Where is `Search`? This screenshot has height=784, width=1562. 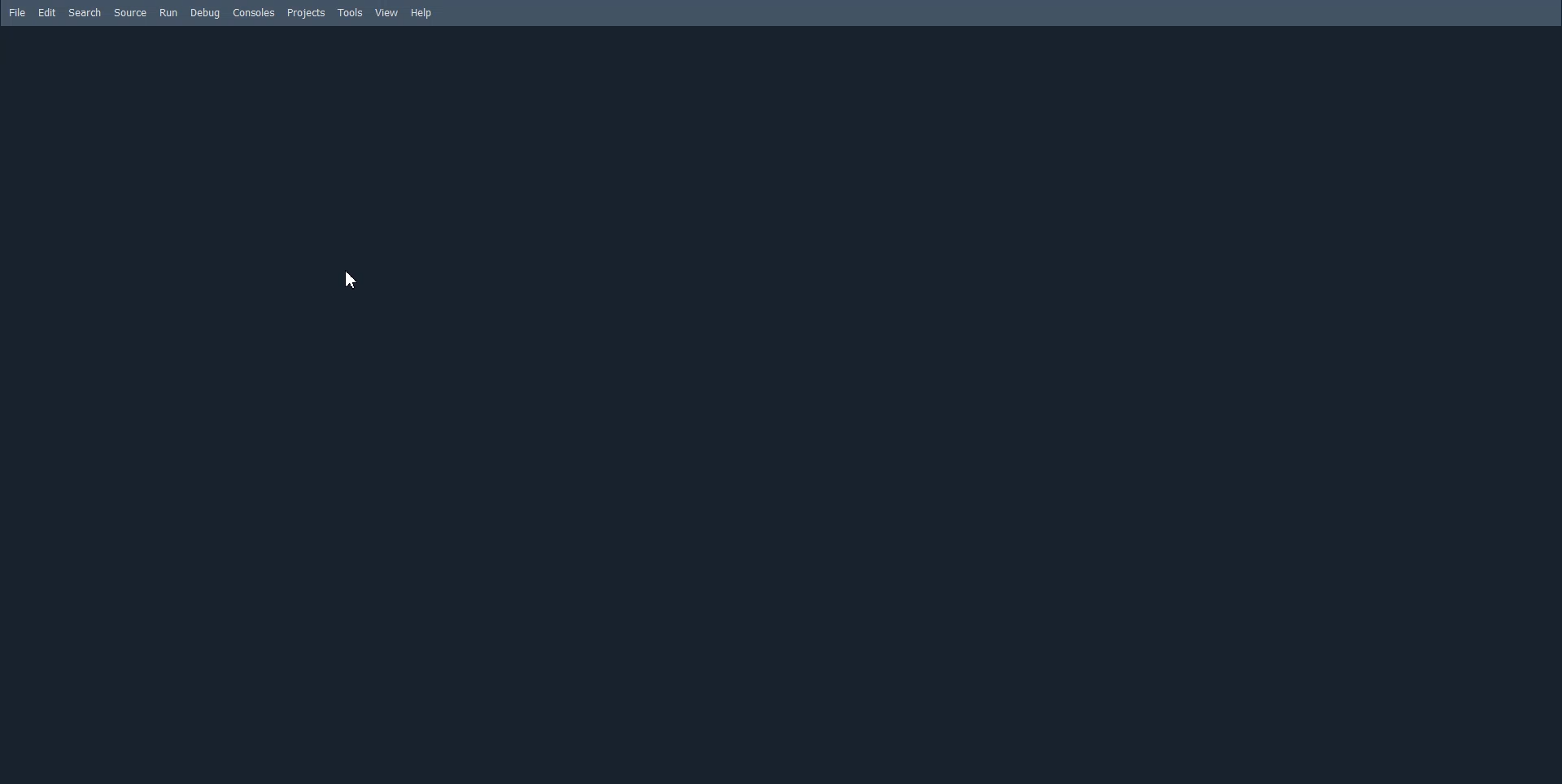 Search is located at coordinates (85, 12).